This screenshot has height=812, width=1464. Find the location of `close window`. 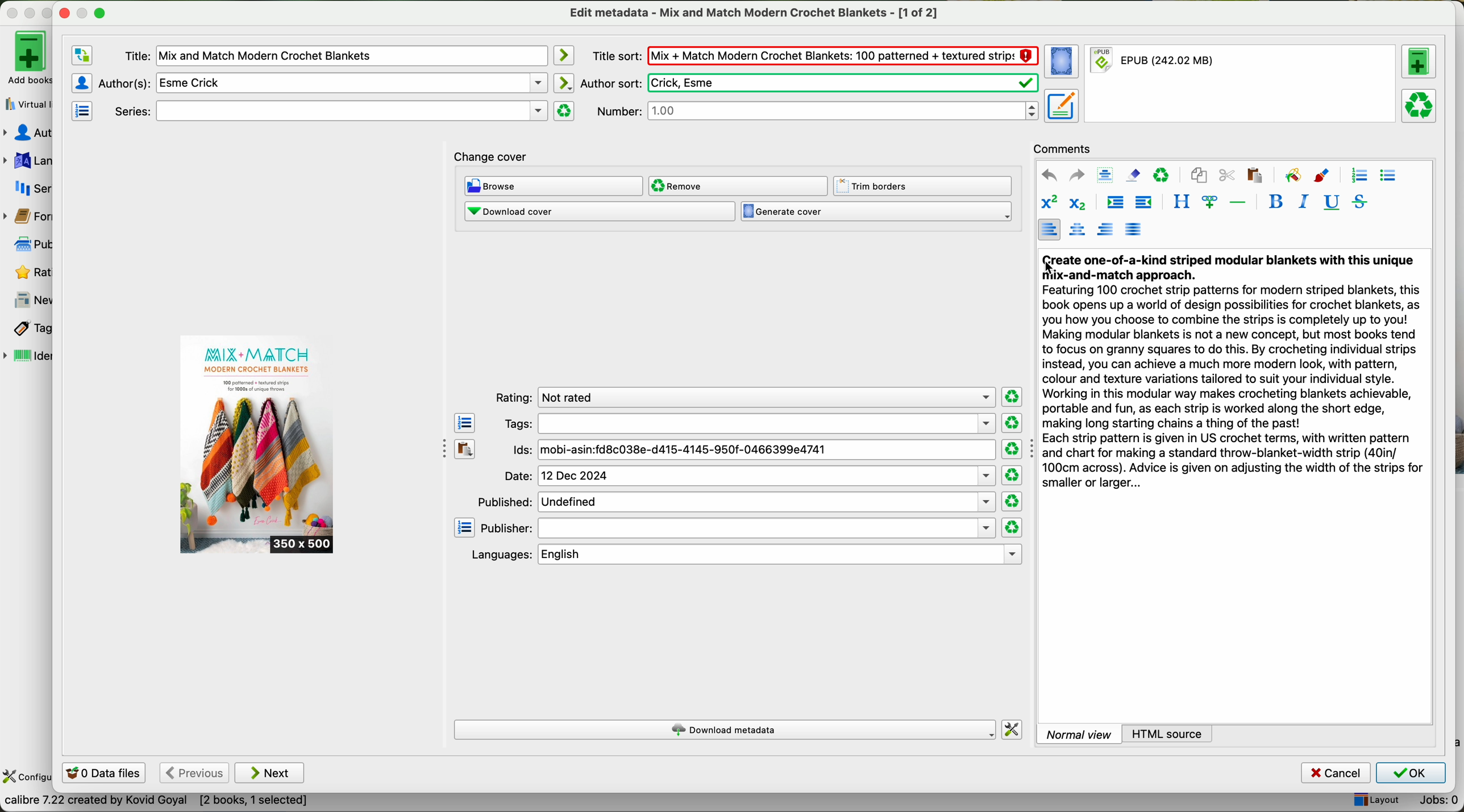

close window is located at coordinates (65, 11).